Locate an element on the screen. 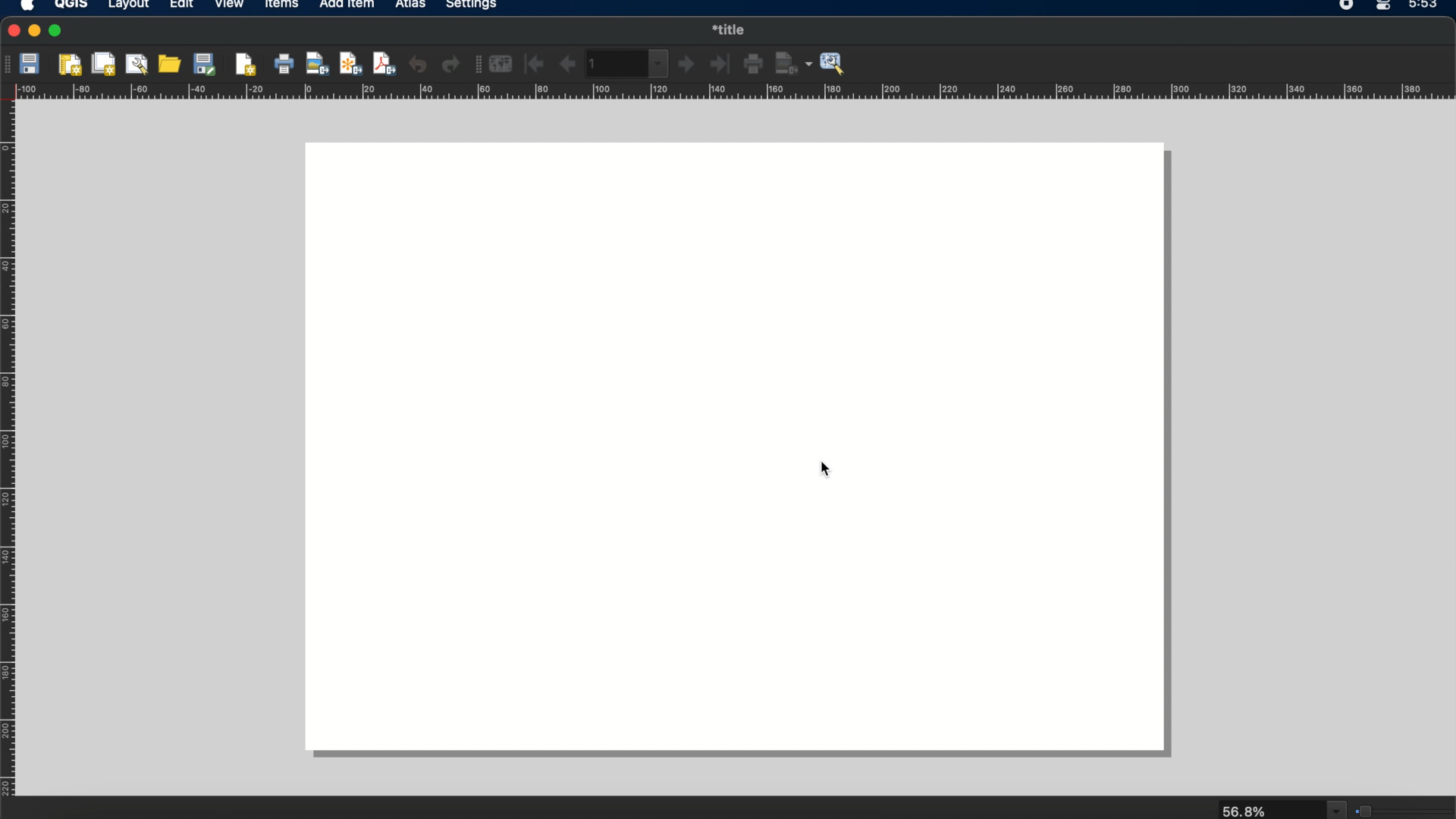 Image resolution: width=1456 pixels, height=819 pixels. last feature is located at coordinates (718, 65).